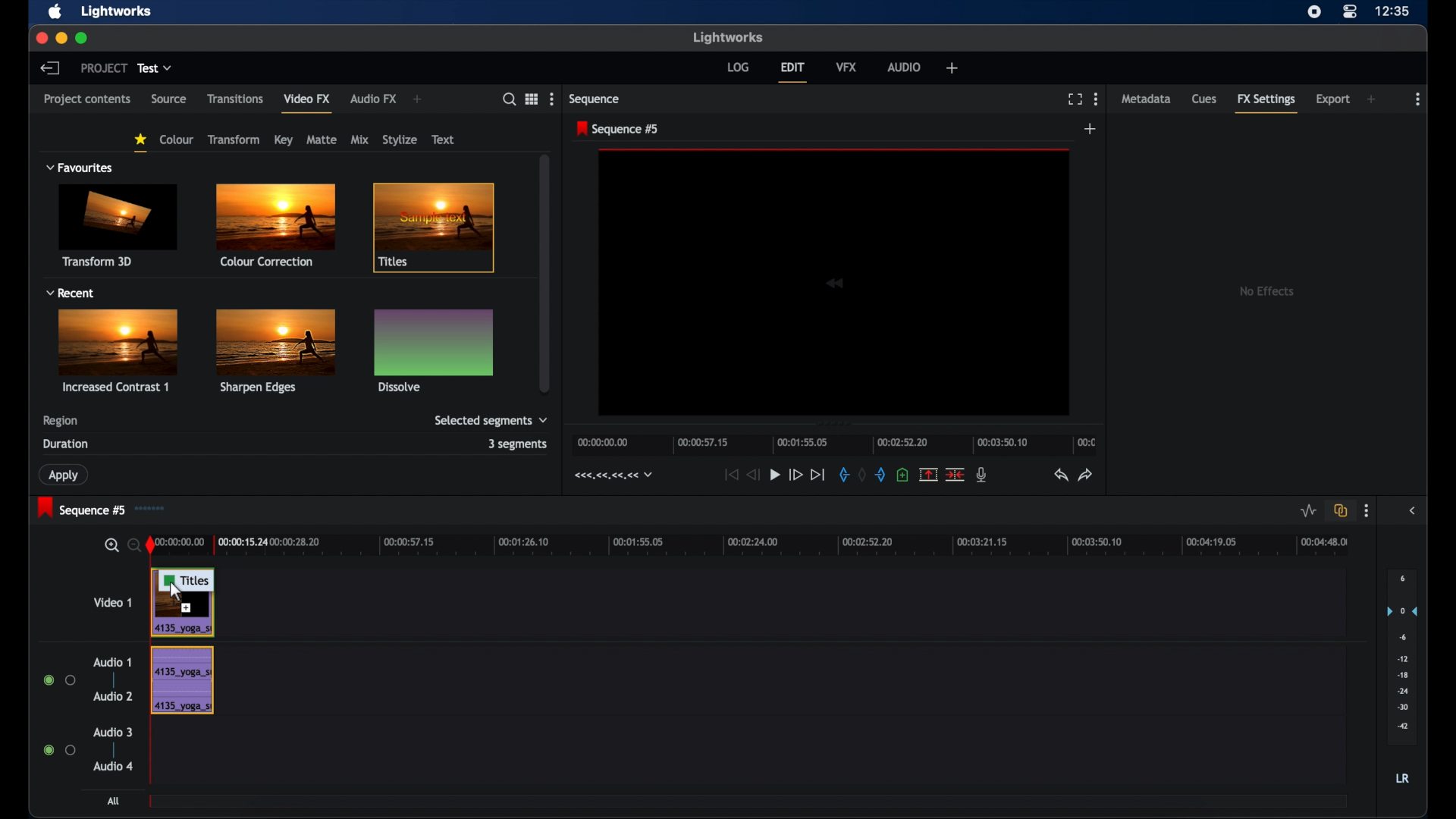 Image resolution: width=1456 pixels, height=819 pixels. Describe the element at coordinates (904, 475) in the screenshot. I see `add cue at current position` at that location.